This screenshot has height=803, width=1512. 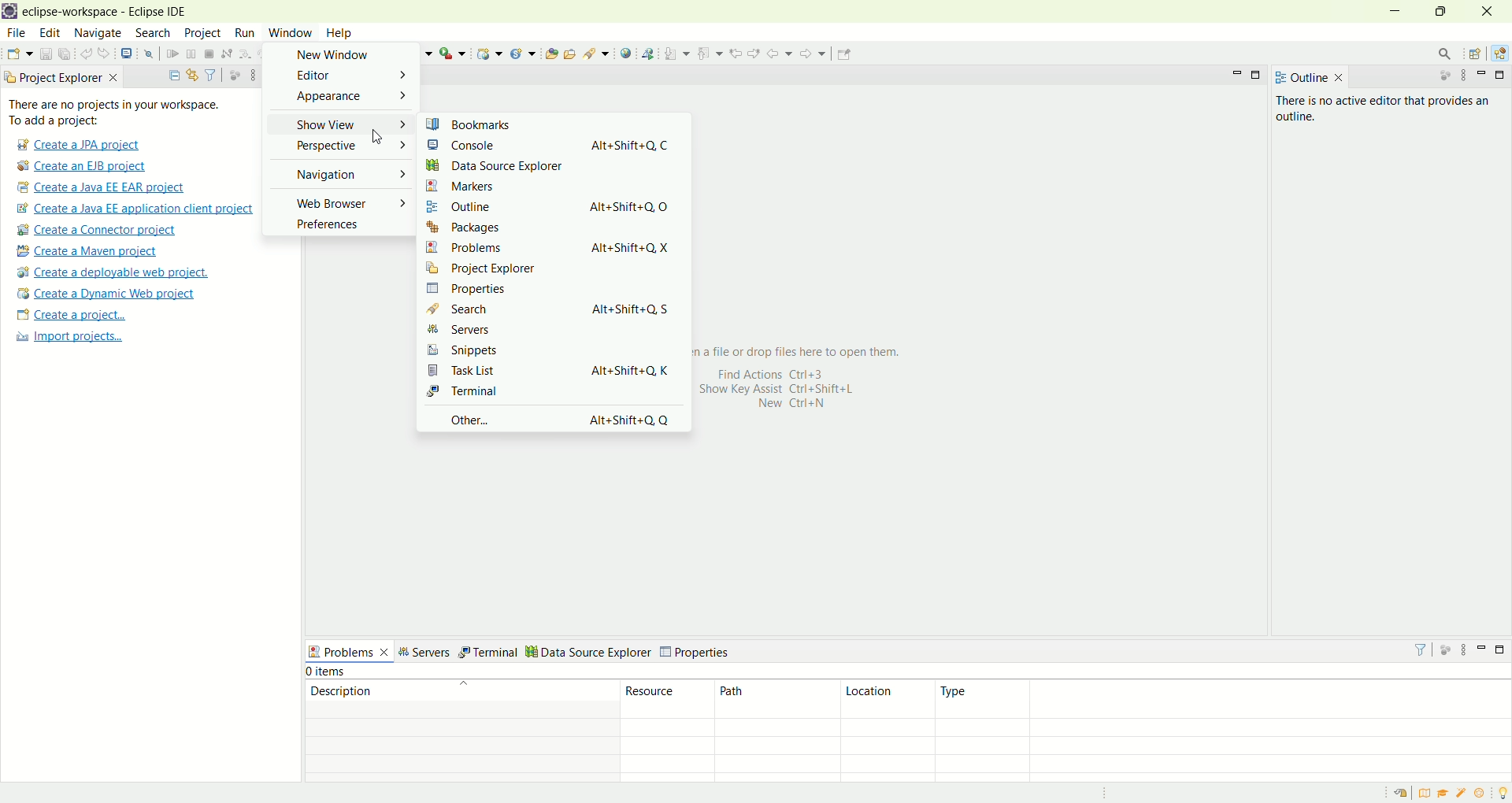 What do you see at coordinates (495, 165) in the screenshot?
I see `data source explorer` at bounding box center [495, 165].